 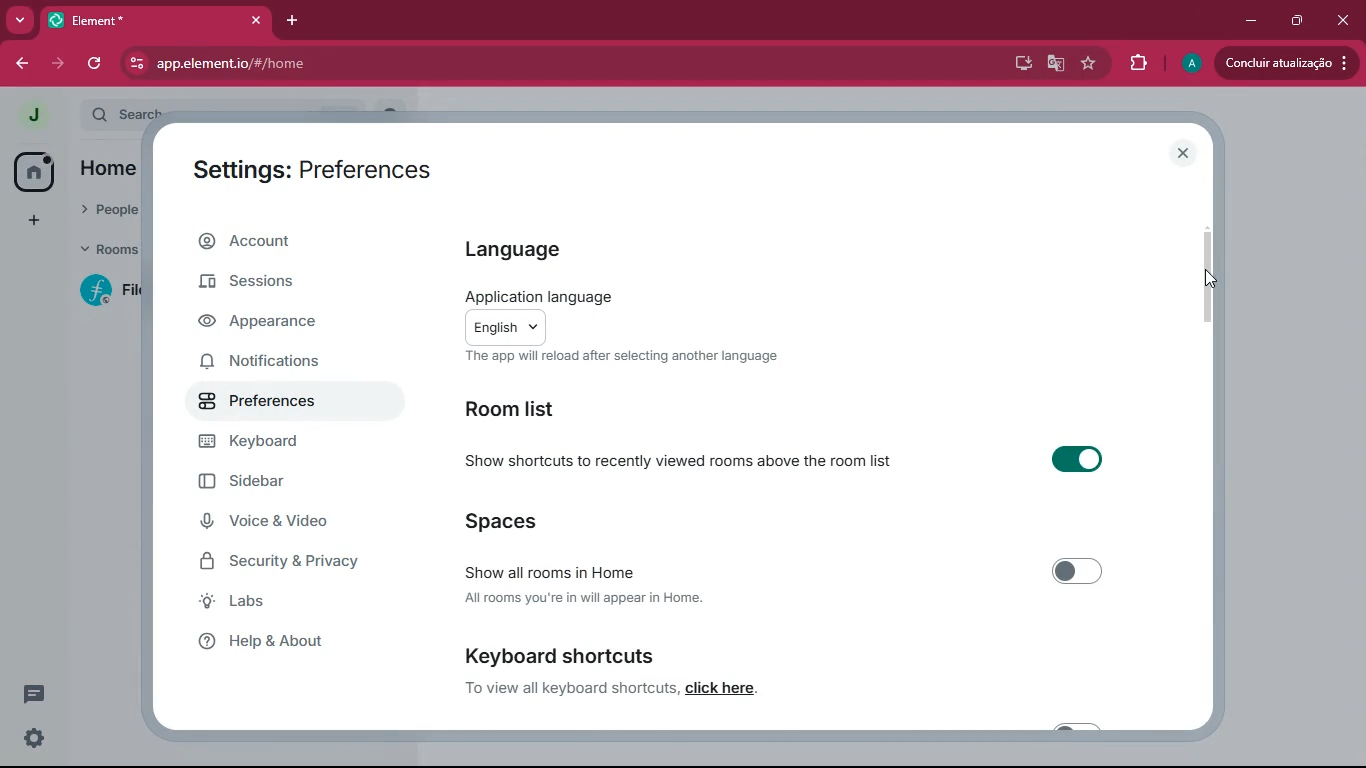 I want to click on settings , so click(x=34, y=741).